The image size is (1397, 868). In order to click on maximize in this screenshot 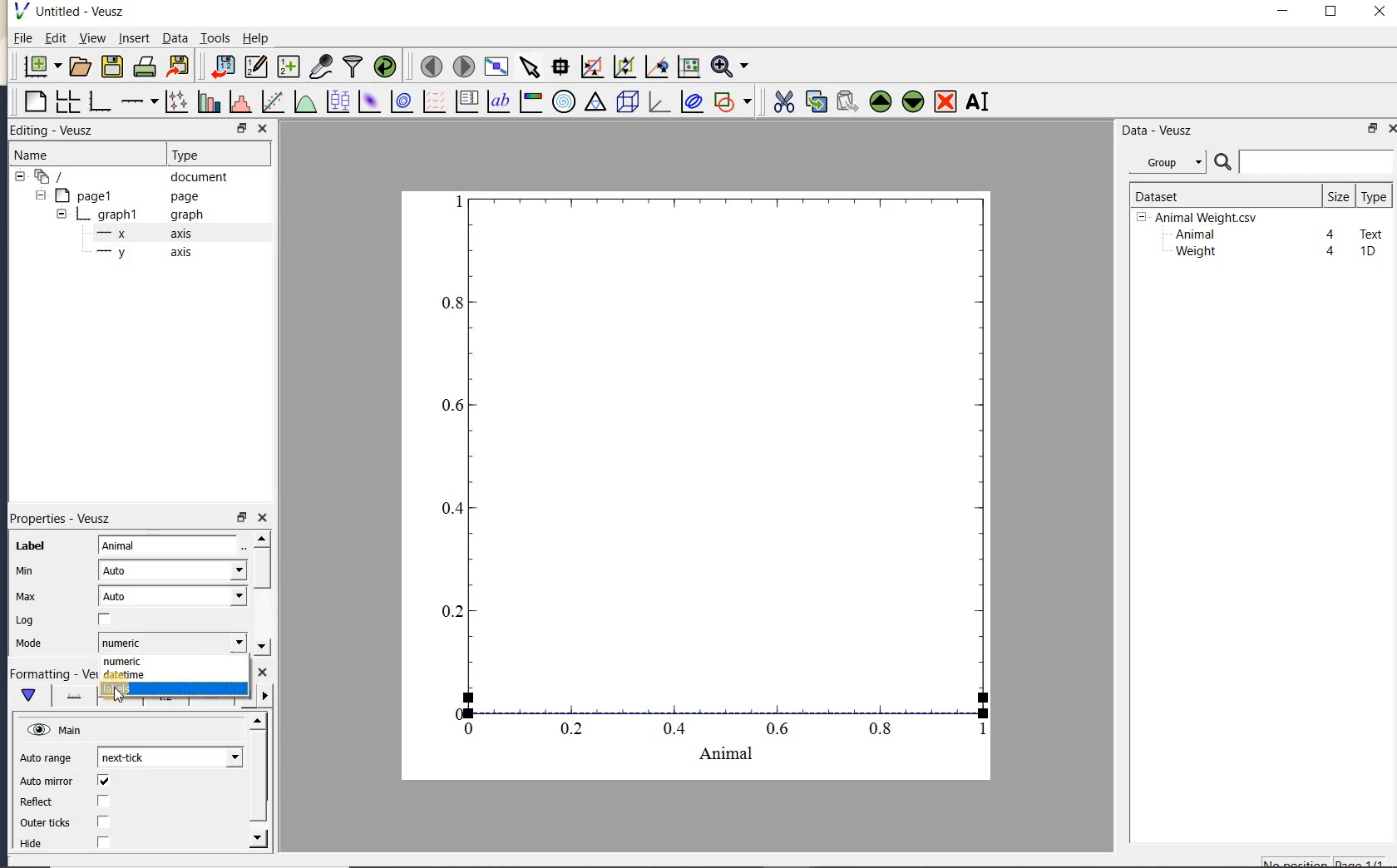, I will do `click(1331, 12)`.